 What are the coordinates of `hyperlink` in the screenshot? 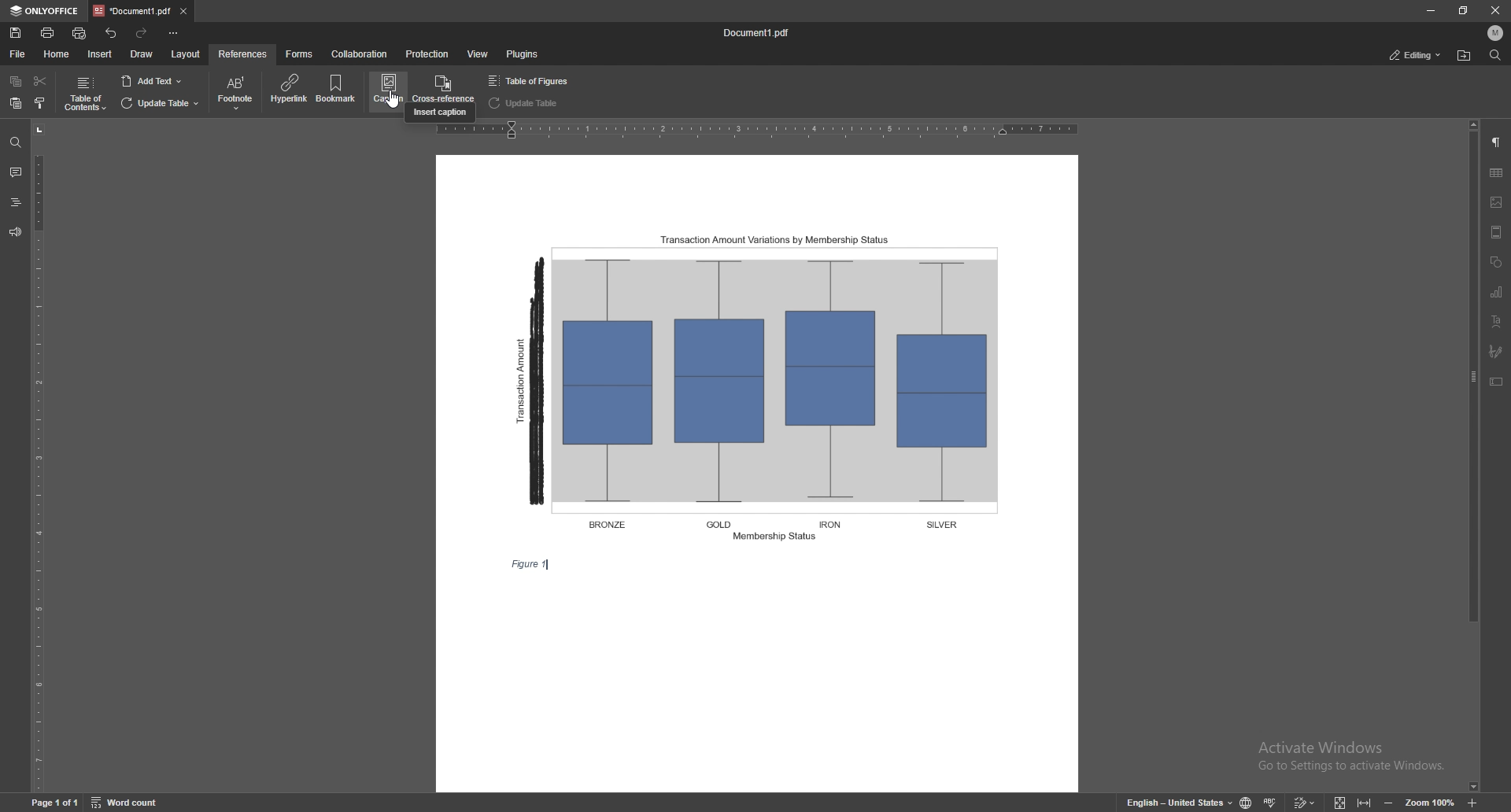 It's located at (290, 89).